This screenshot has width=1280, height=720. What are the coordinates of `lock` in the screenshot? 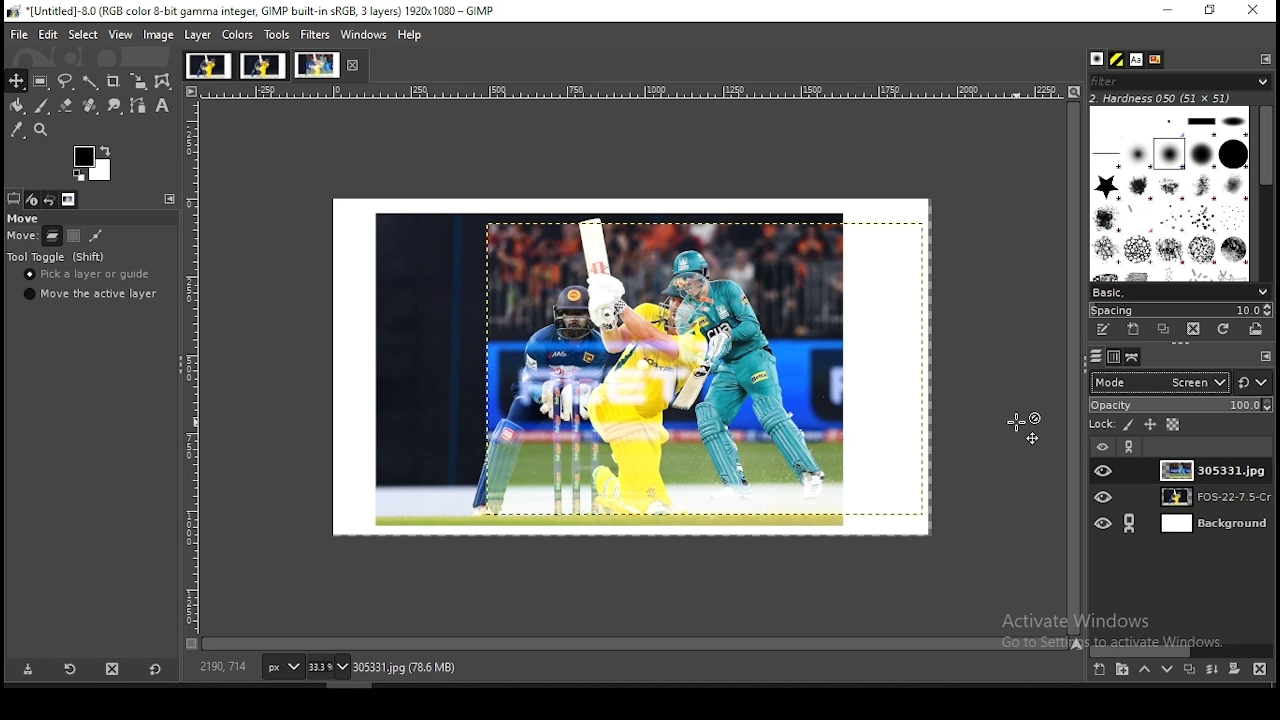 It's located at (1104, 424).